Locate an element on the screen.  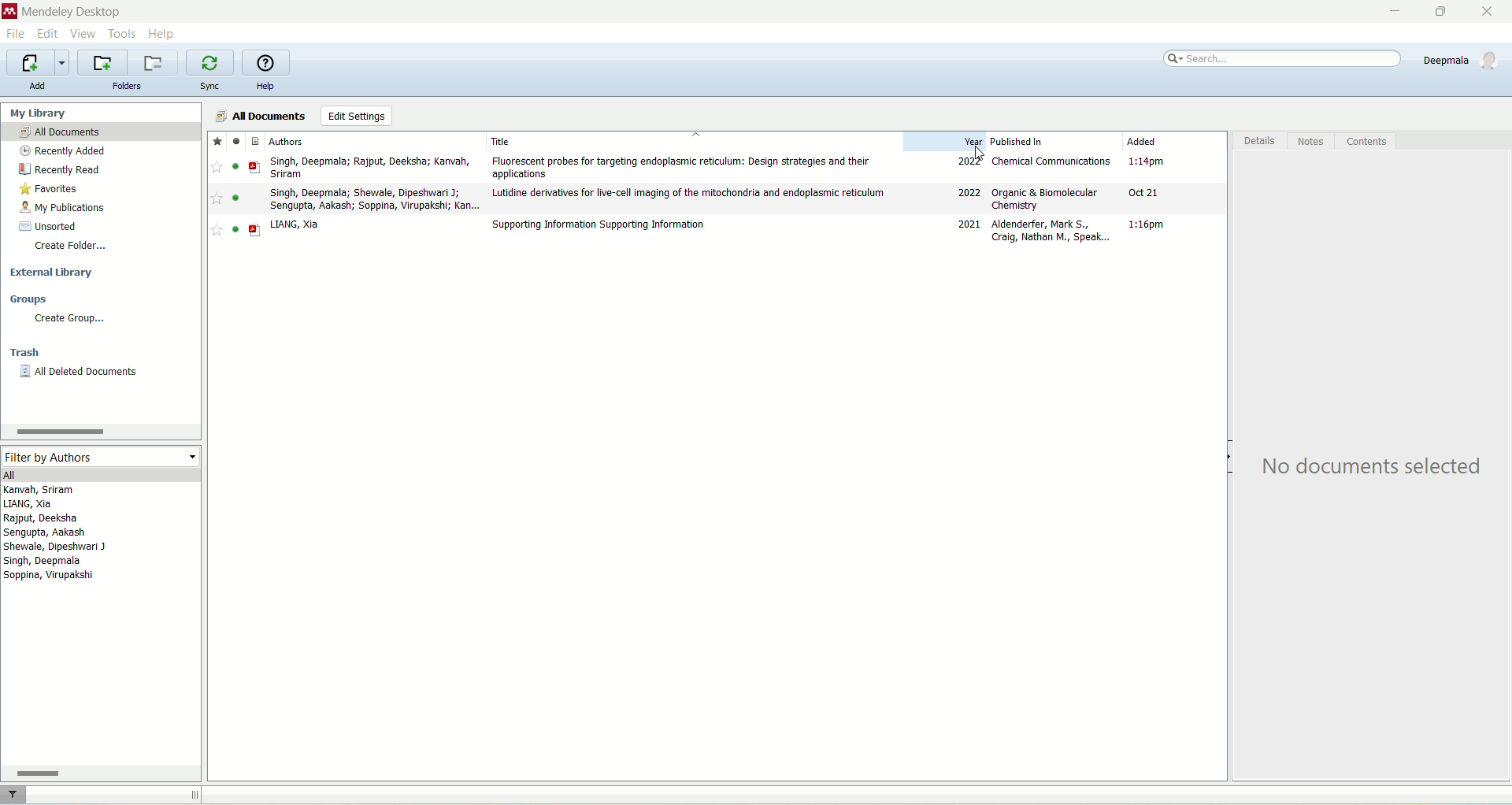
edit settings is located at coordinates (357, 117).